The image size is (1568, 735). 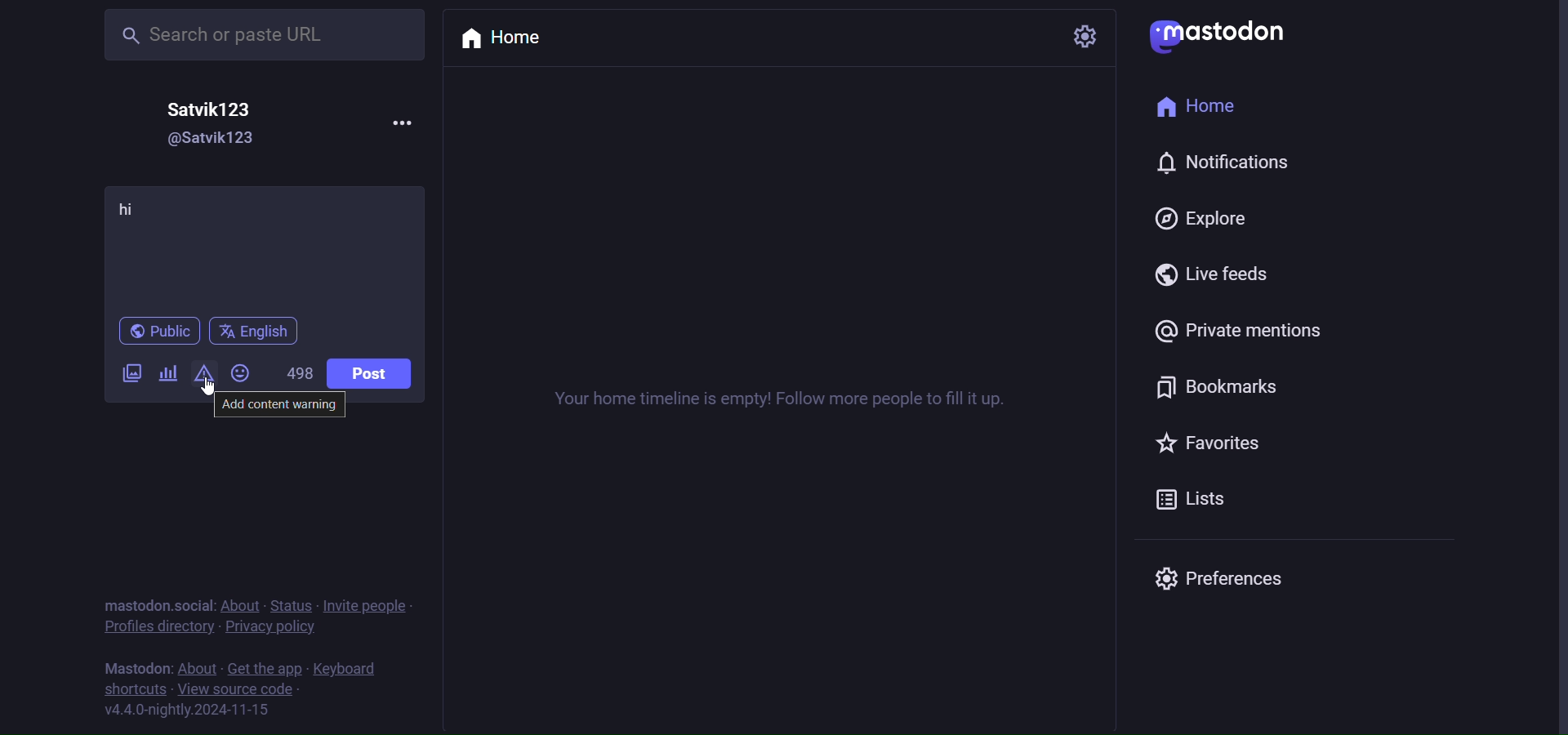 I want to click on setting, so click(x=1084, y=36).